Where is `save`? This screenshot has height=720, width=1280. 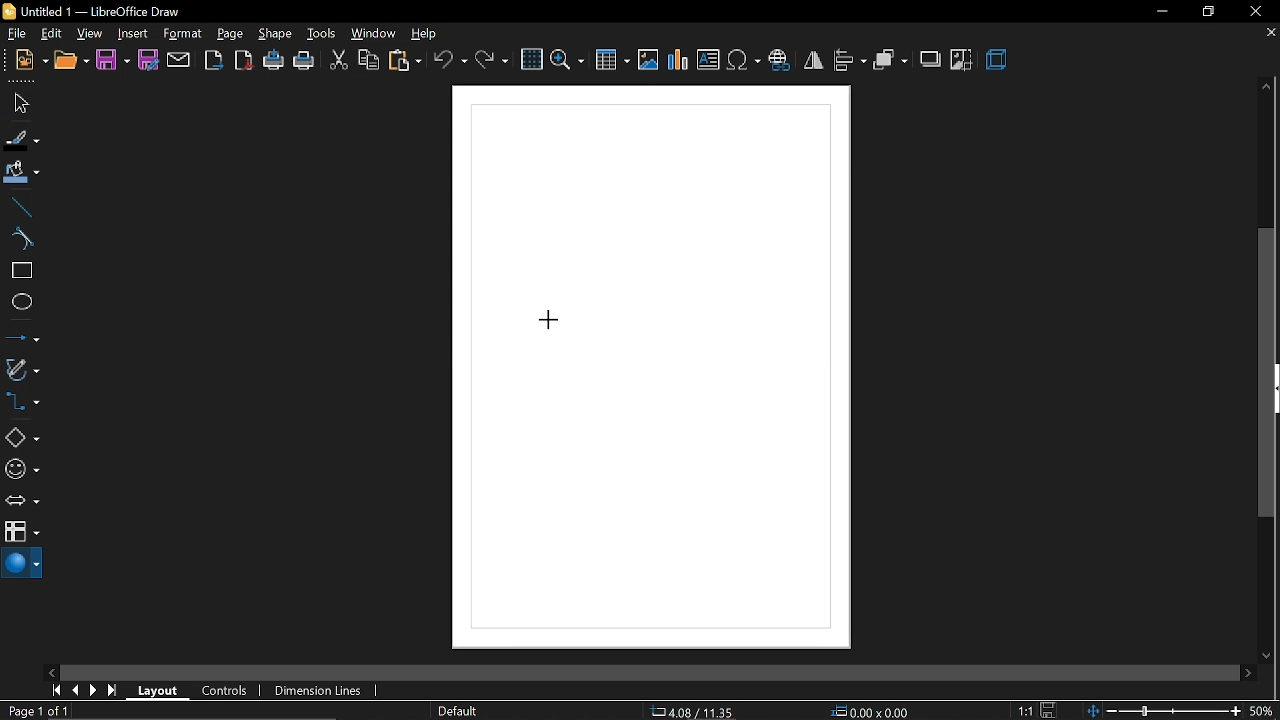 save is located at coordinates (113, 61).